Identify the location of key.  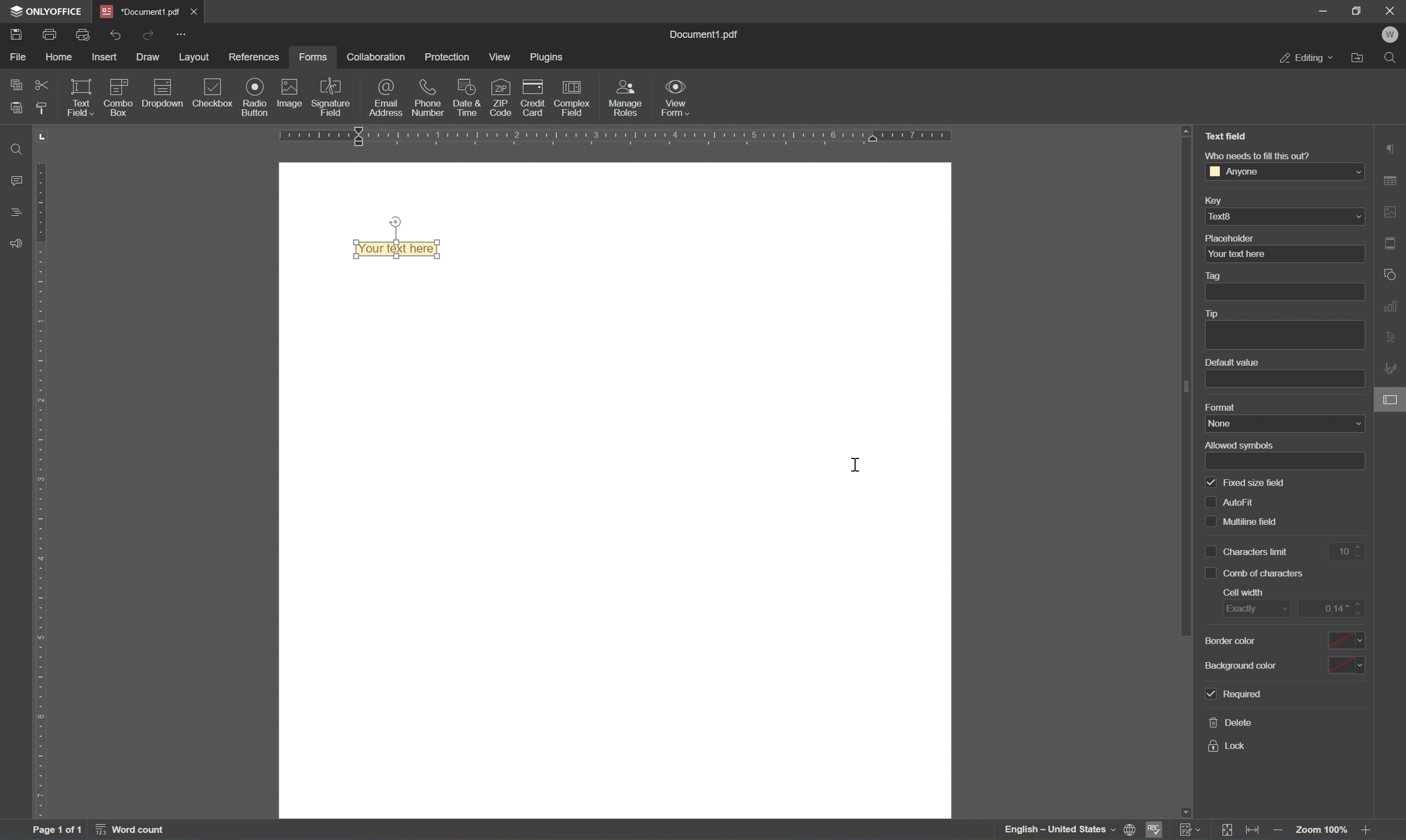
(1219, 199).